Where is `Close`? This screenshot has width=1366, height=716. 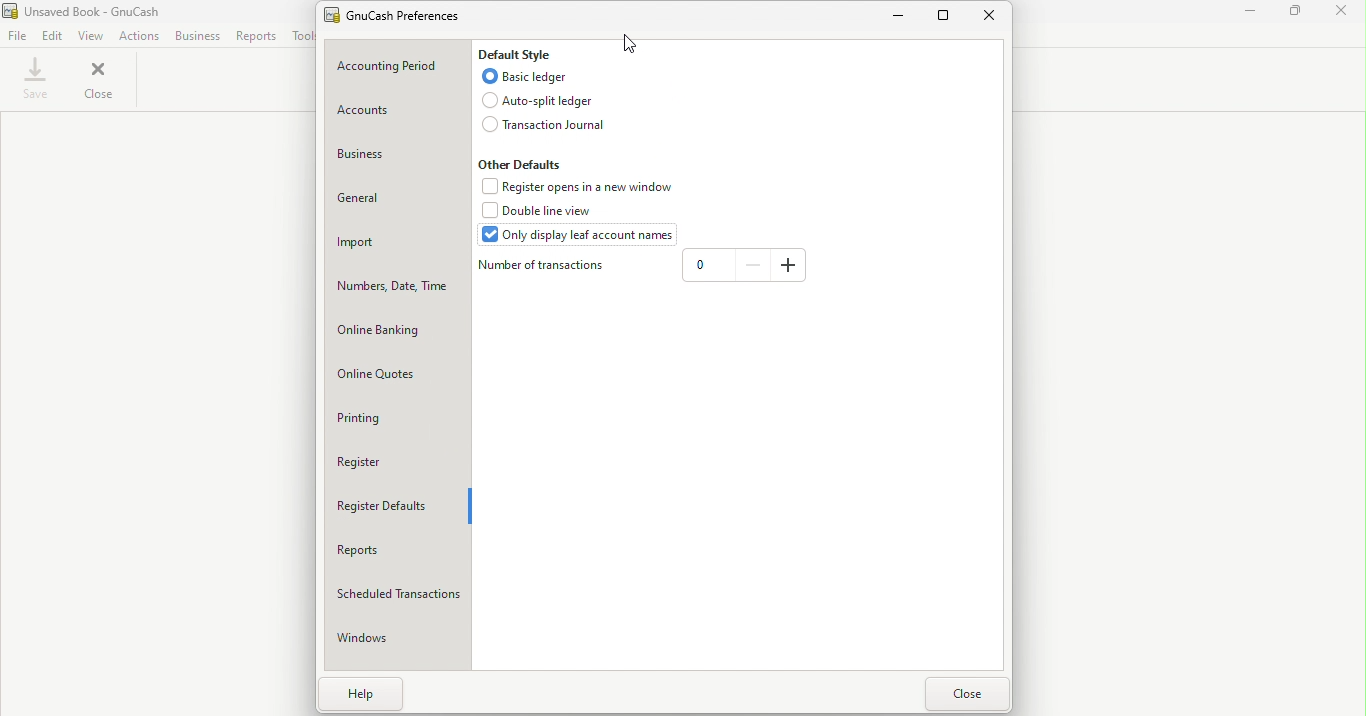 Close is located at coordinates (966, 695).